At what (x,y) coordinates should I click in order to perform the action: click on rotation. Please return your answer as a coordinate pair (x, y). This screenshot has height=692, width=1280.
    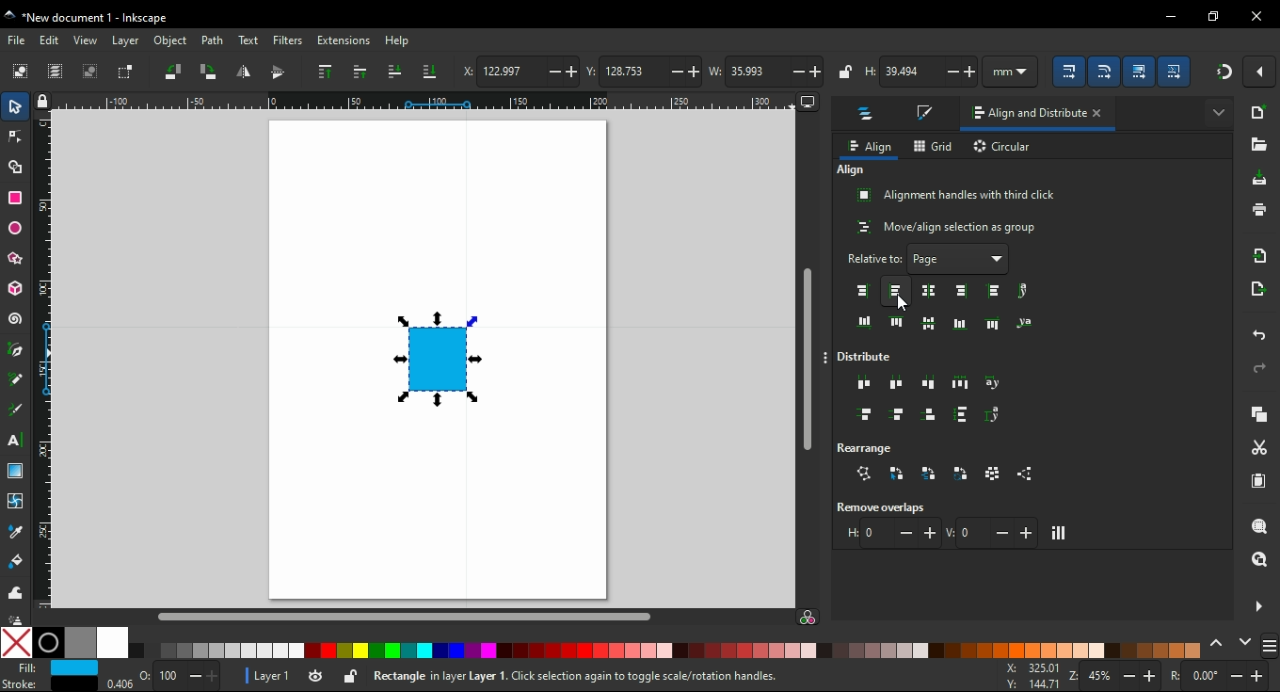
    Looking at the image, I should click on (1220, 675).